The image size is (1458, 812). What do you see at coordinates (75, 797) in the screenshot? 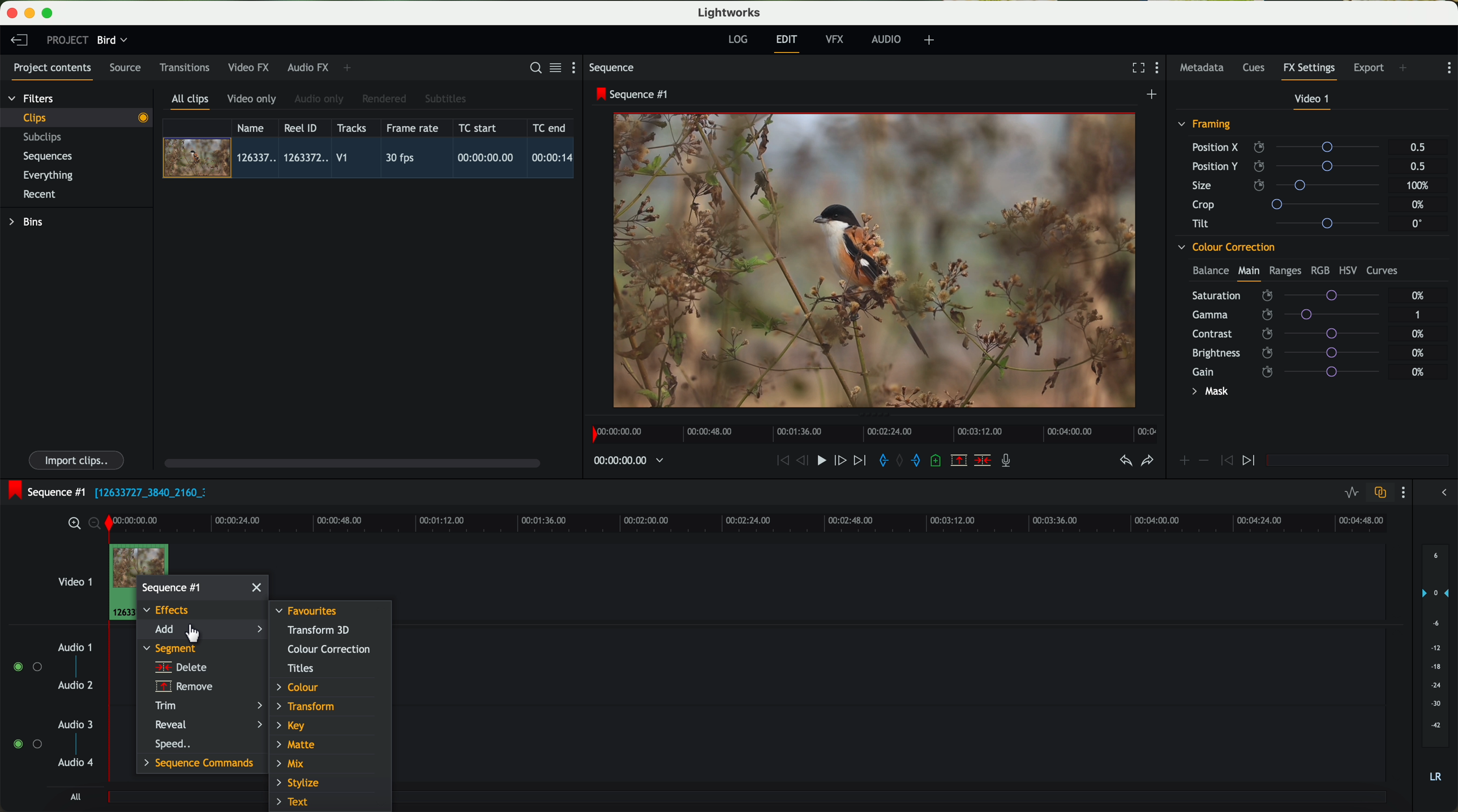
I see `all` at bounding box center [75, 797].